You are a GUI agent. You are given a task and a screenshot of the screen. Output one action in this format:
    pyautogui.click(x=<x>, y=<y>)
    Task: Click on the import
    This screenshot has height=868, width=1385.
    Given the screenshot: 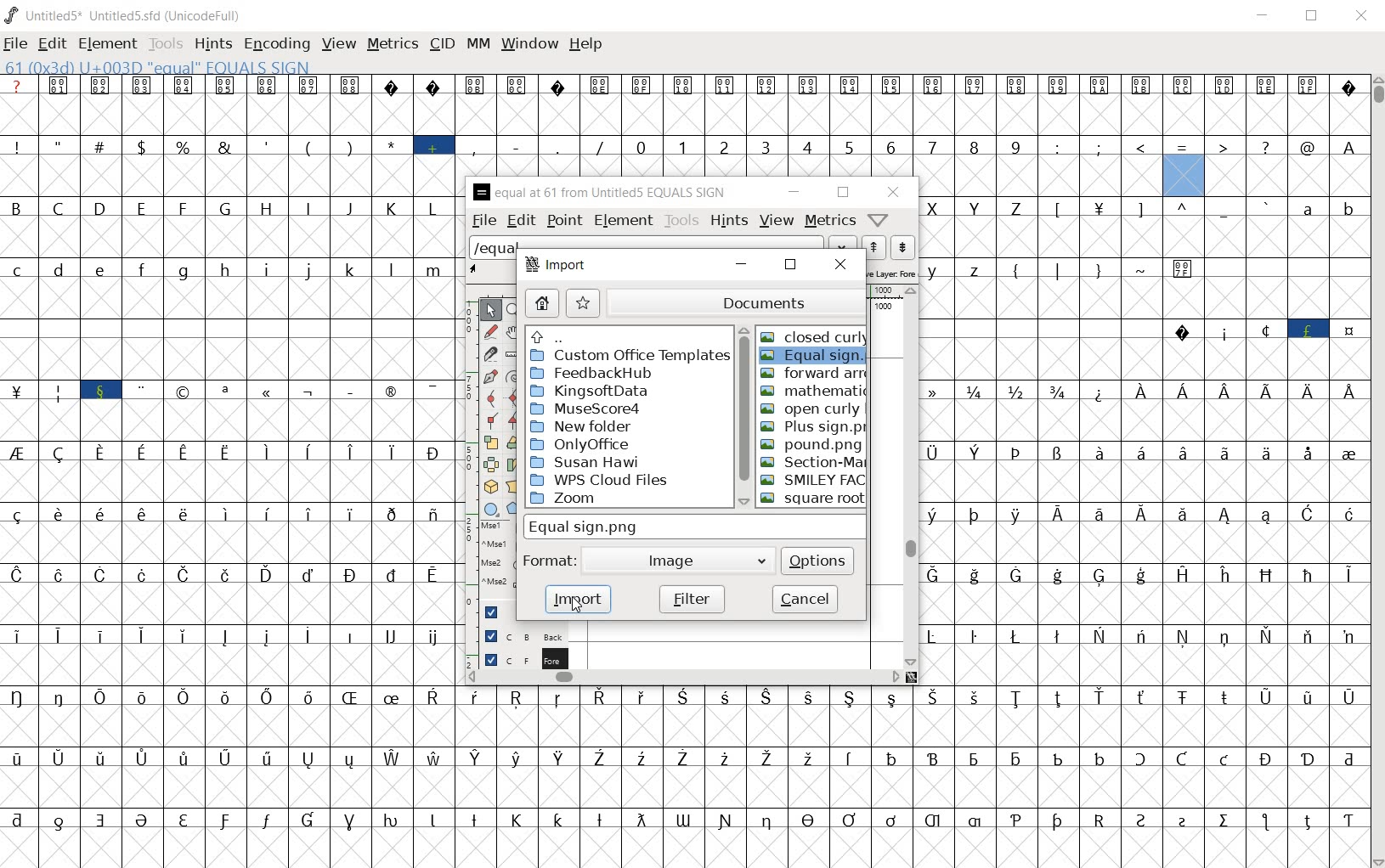 What is the action you would take?
    pyautogui.click(x=576, y=598)
    